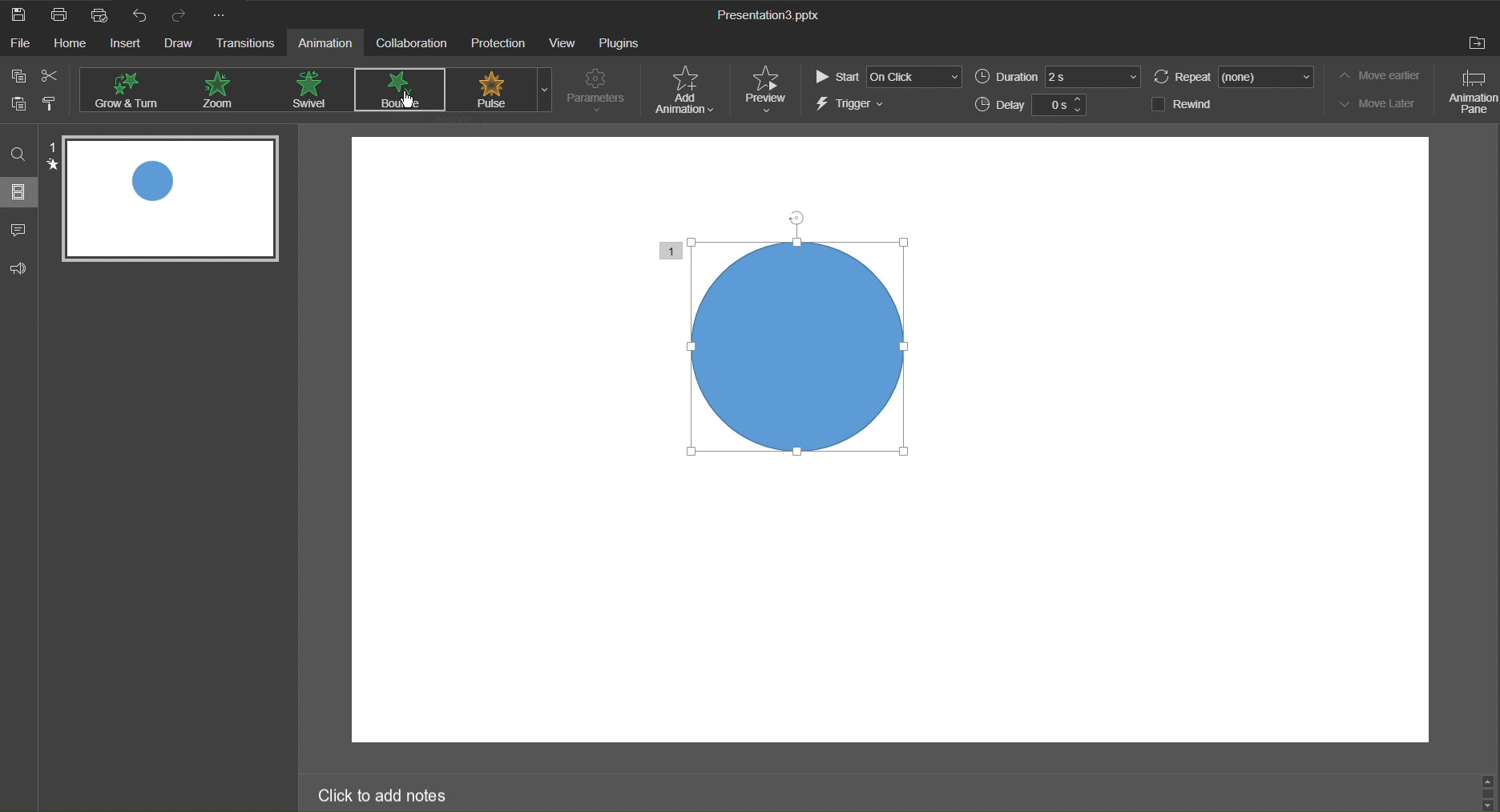 The image size is (1500, 812). Describe the element at coordinates (329, 44) in the screenshot. I see `Animation` at that location.